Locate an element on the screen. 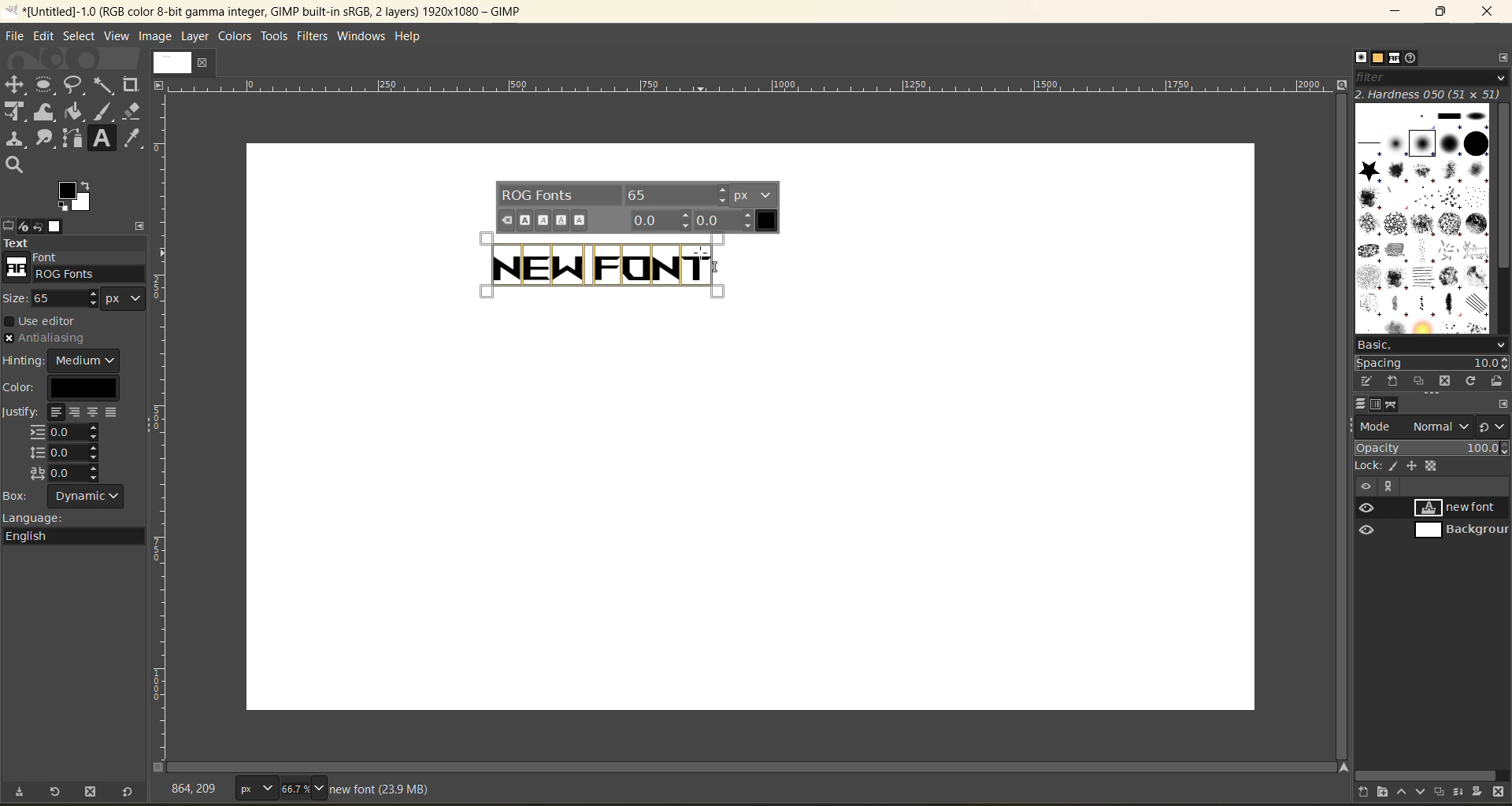  use editor is located at coordinates (48, 321).